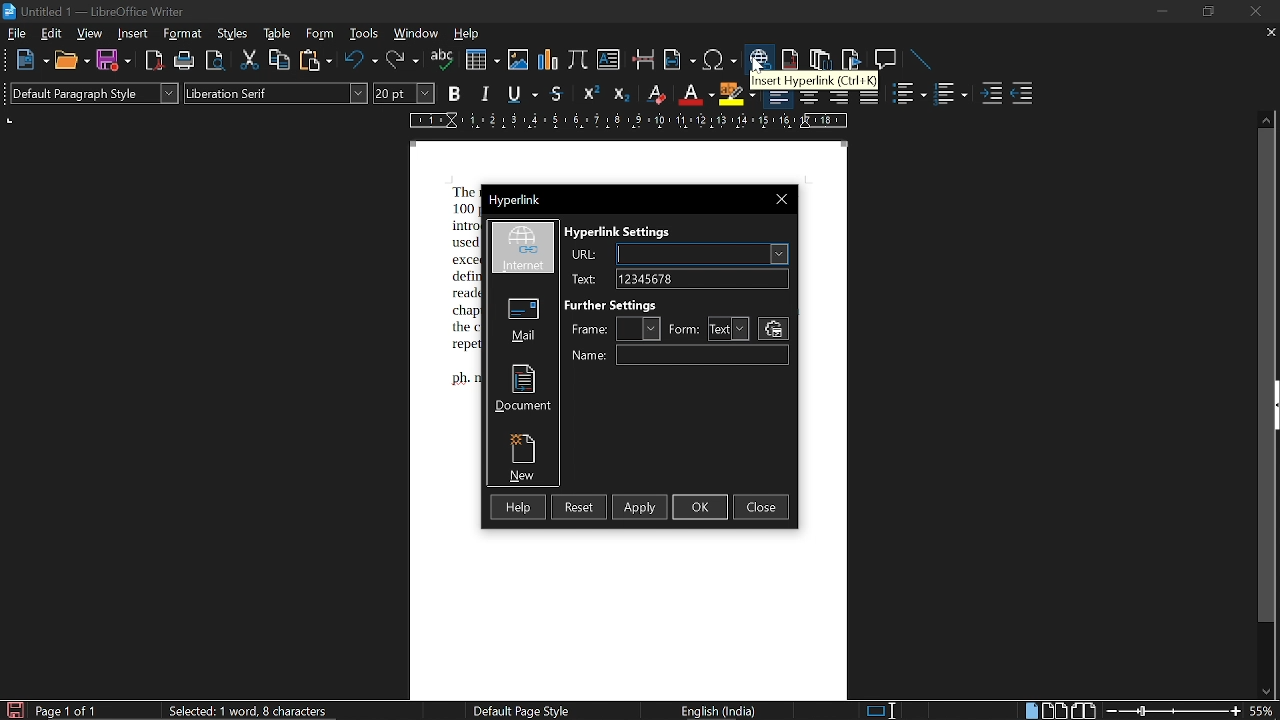  What do you see at coordinates (586, 255) in the screenshot?
I see `URL` at bounding box center [586, 255].